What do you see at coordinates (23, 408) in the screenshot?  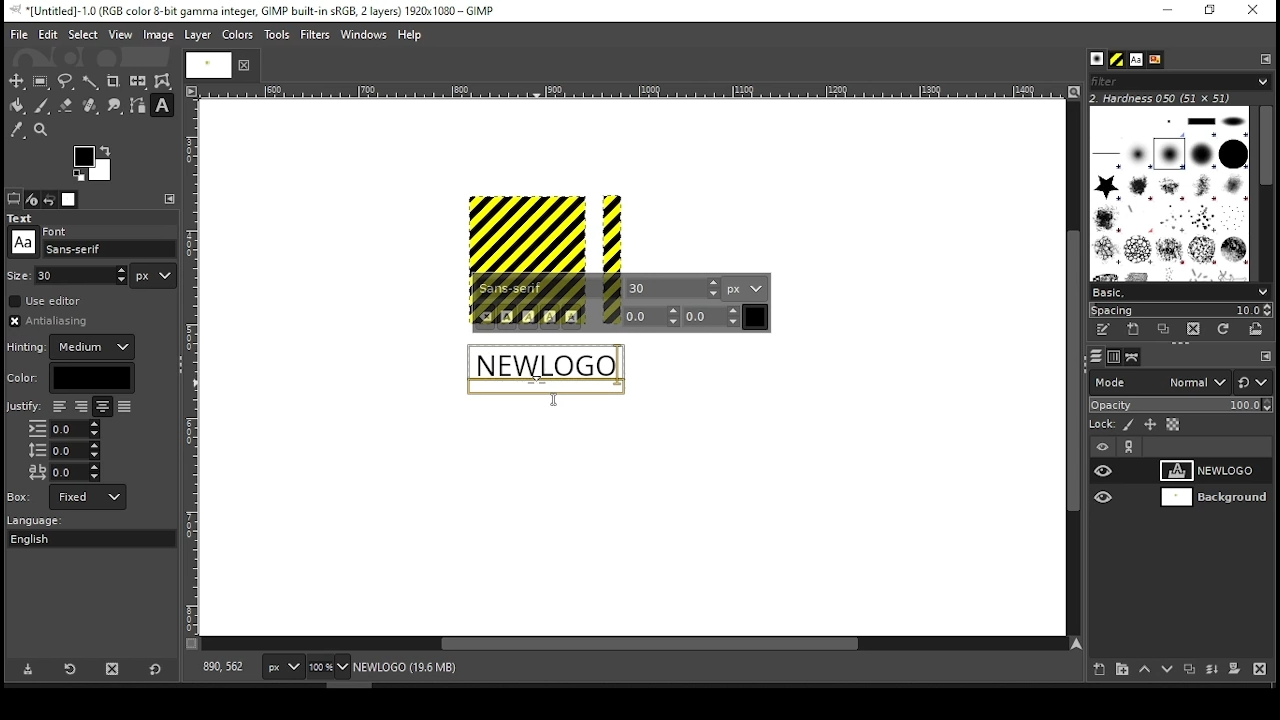 I see `` at bounding box center [23, 408].